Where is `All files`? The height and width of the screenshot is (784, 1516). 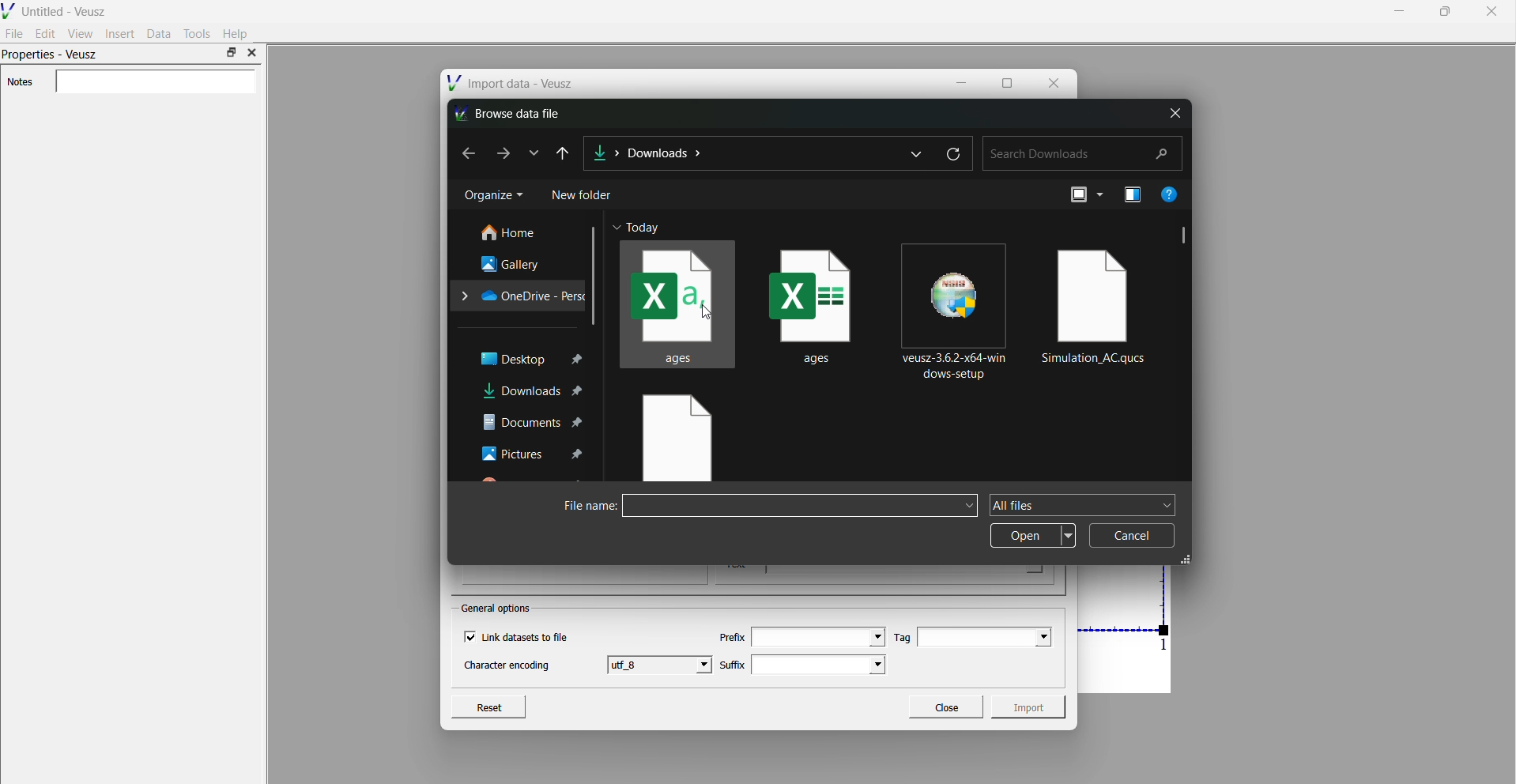
All files is located at coordinates (1083, 505).